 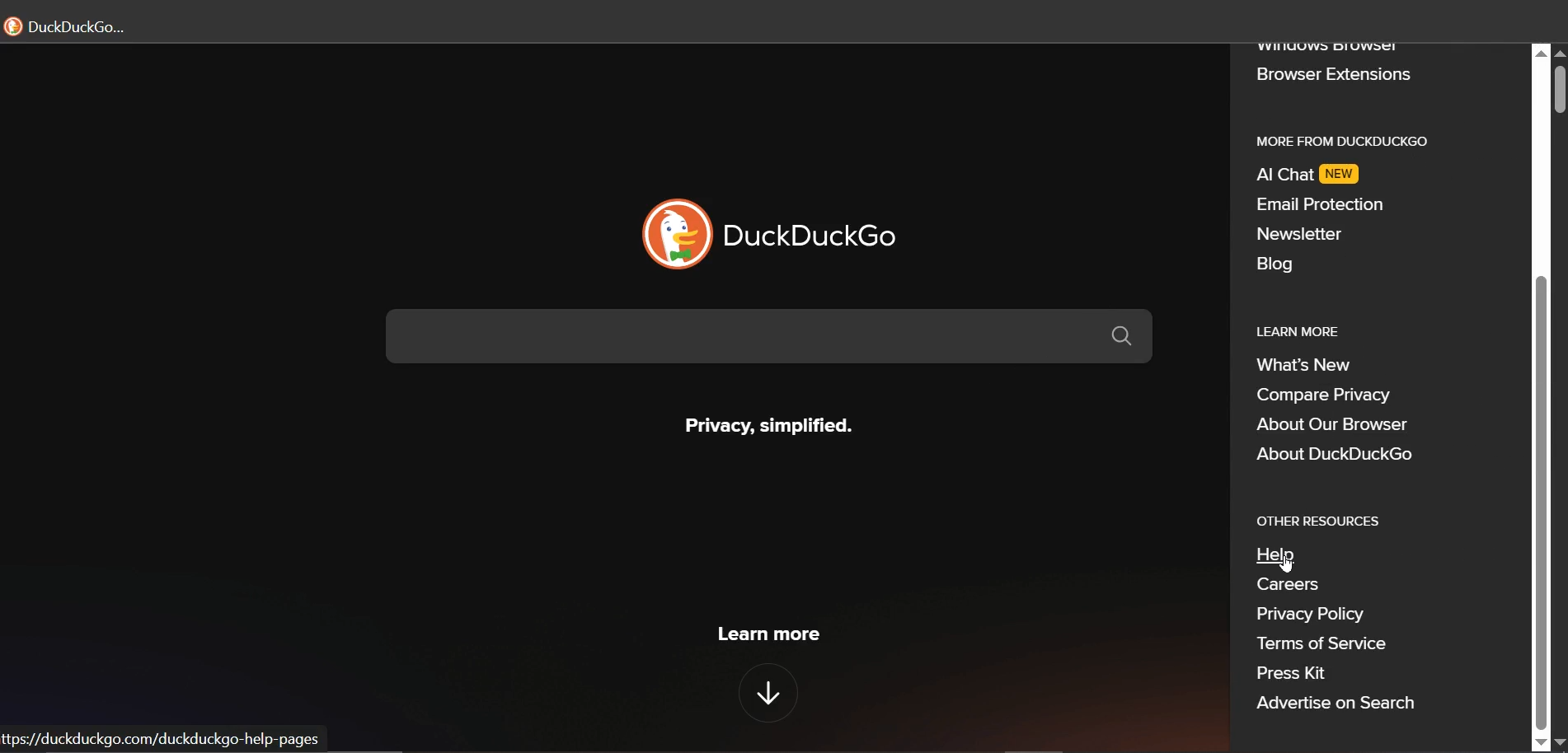 I want to click on scroll bar, so click(x=1542, y=501).